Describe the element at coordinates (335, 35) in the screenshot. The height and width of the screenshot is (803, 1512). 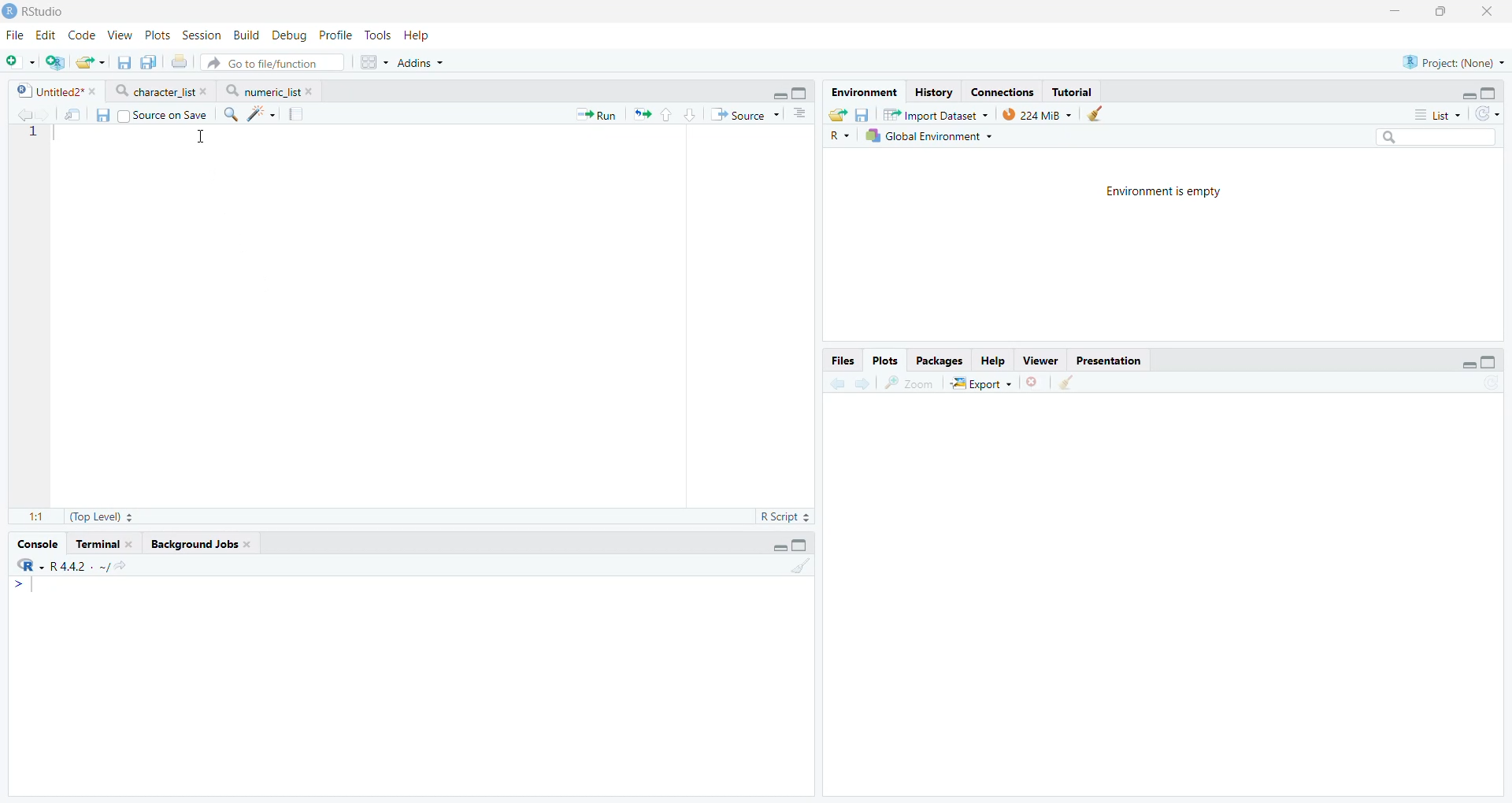
I see `Profile` at that location.